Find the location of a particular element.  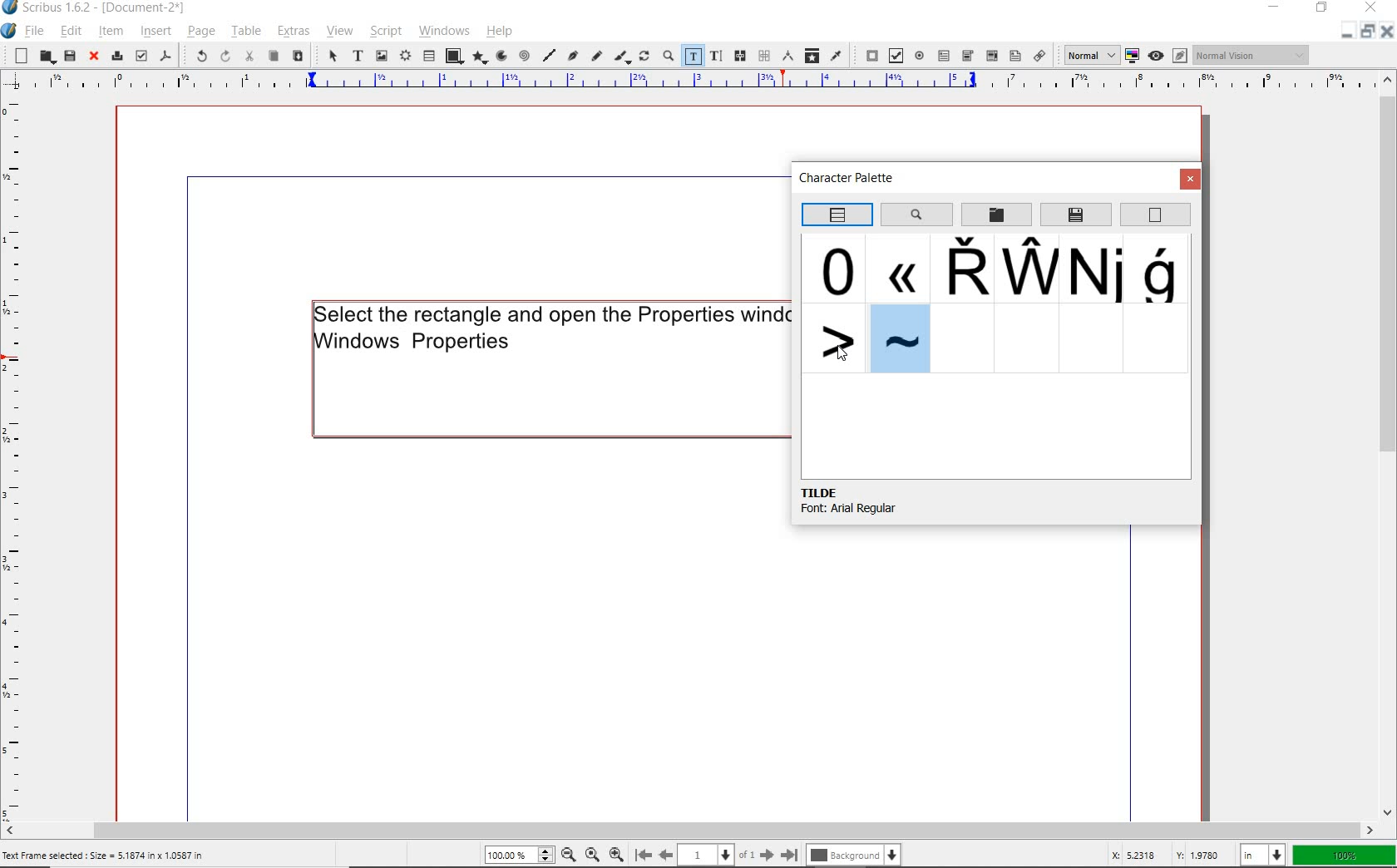

eye dropper is located at coordinates (837, 55).